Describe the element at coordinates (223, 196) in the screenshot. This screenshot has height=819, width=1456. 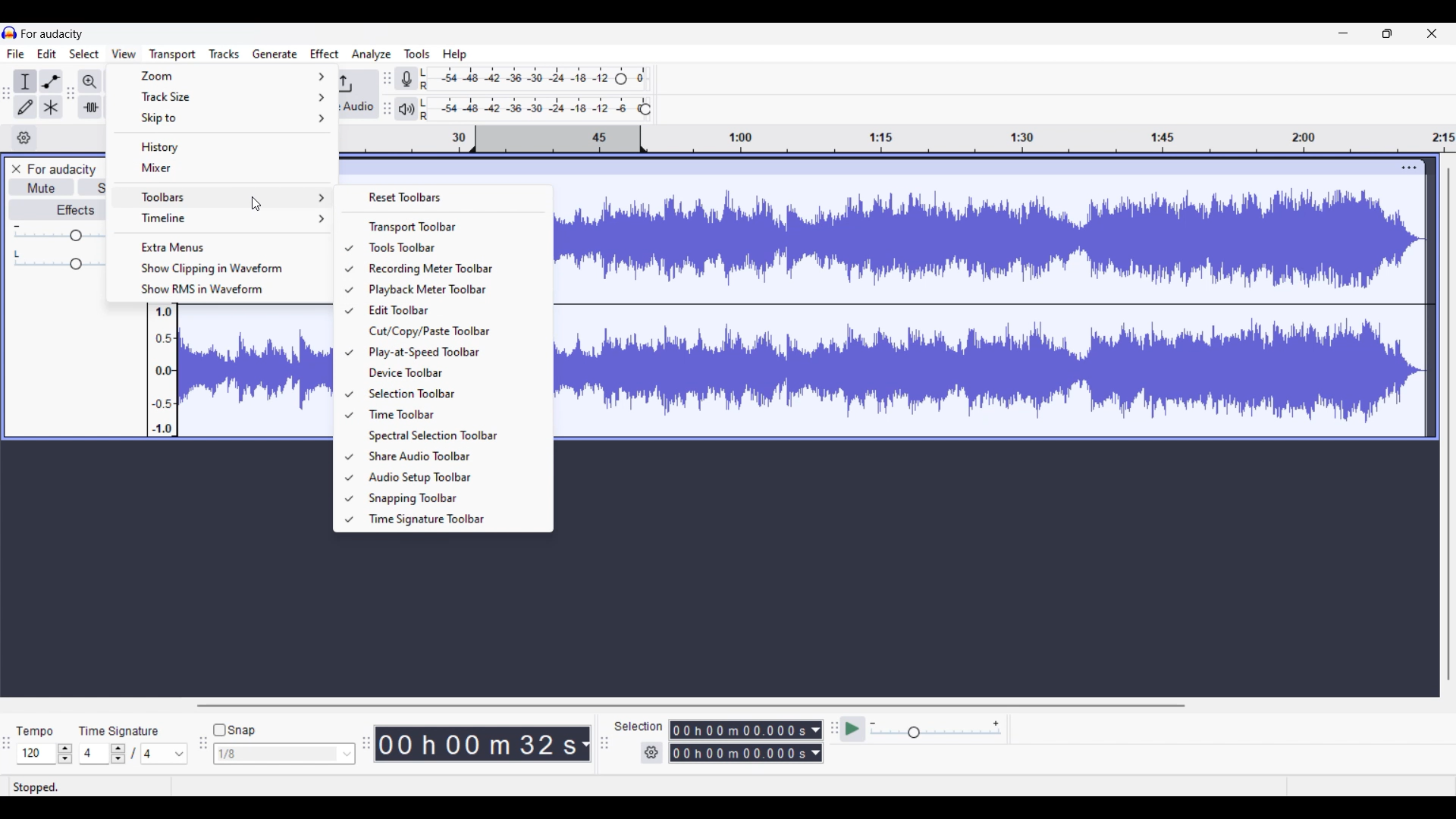
I see `Toolbar options` at that location.